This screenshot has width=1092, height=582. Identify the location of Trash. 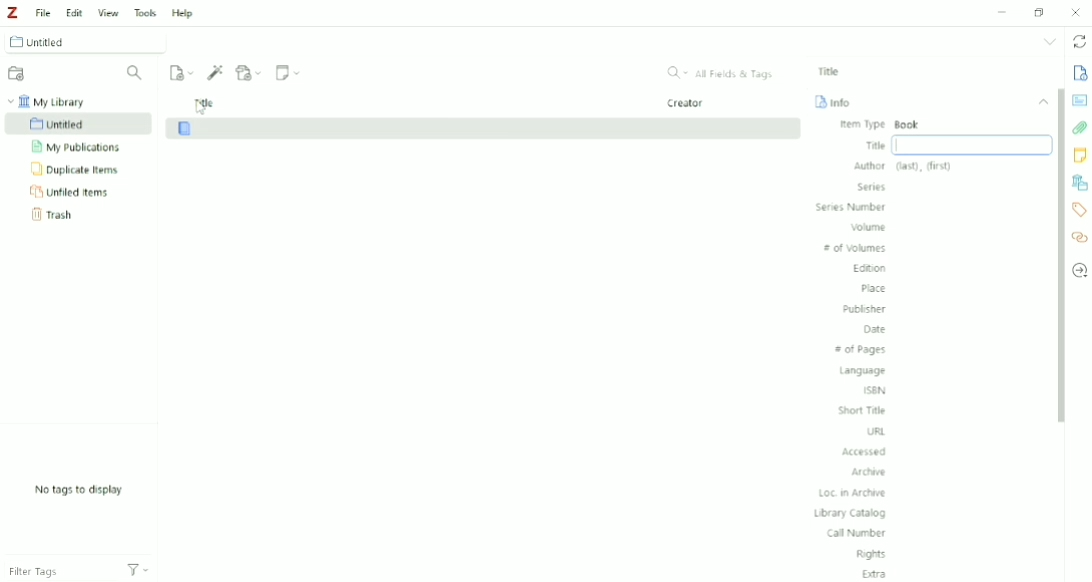
(61, 214).